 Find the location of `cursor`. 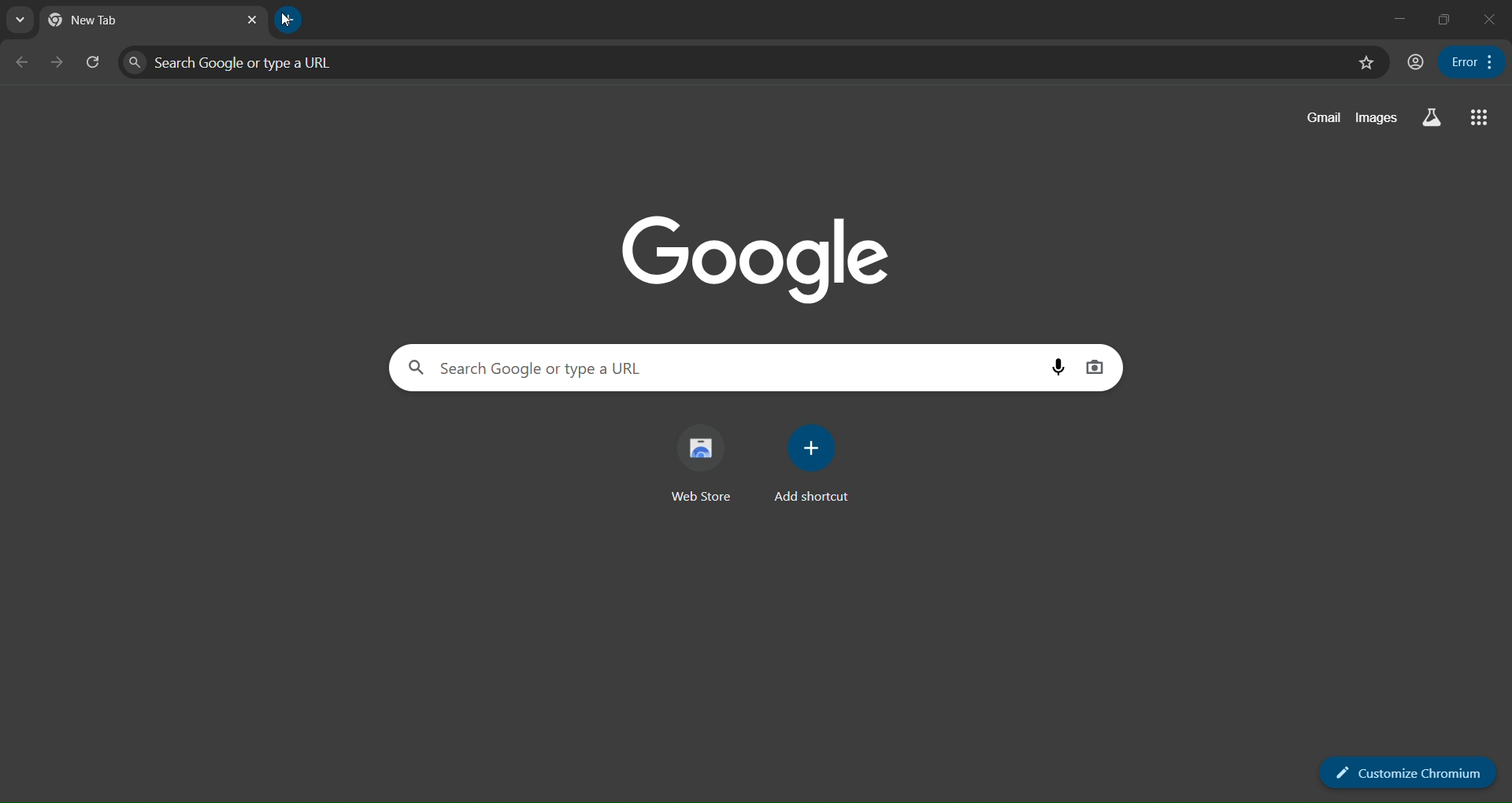

cursor is located at coordinates (282, 23).